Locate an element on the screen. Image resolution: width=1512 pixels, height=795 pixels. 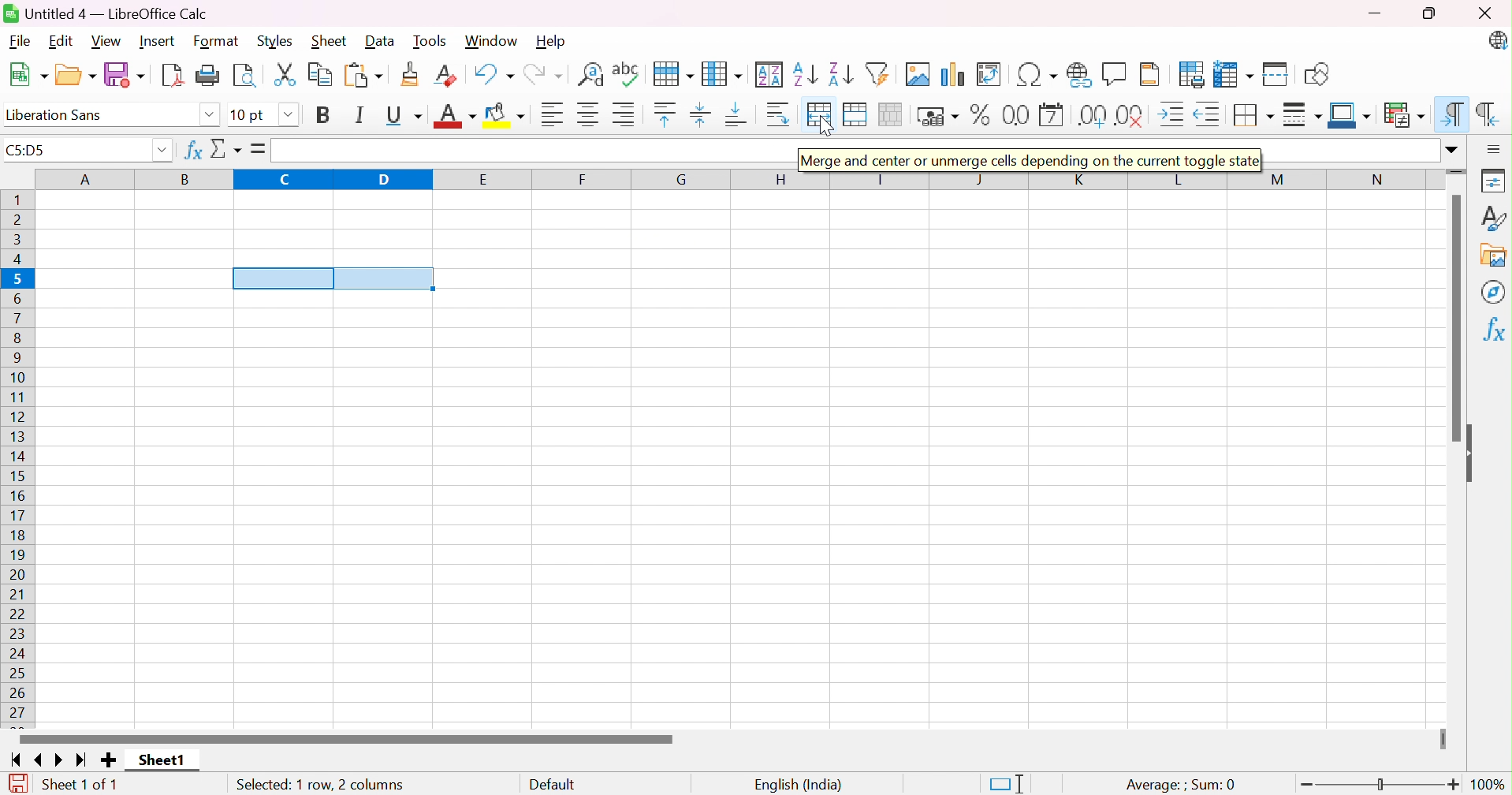
Export as PDF is located at coordinates (174, 74).